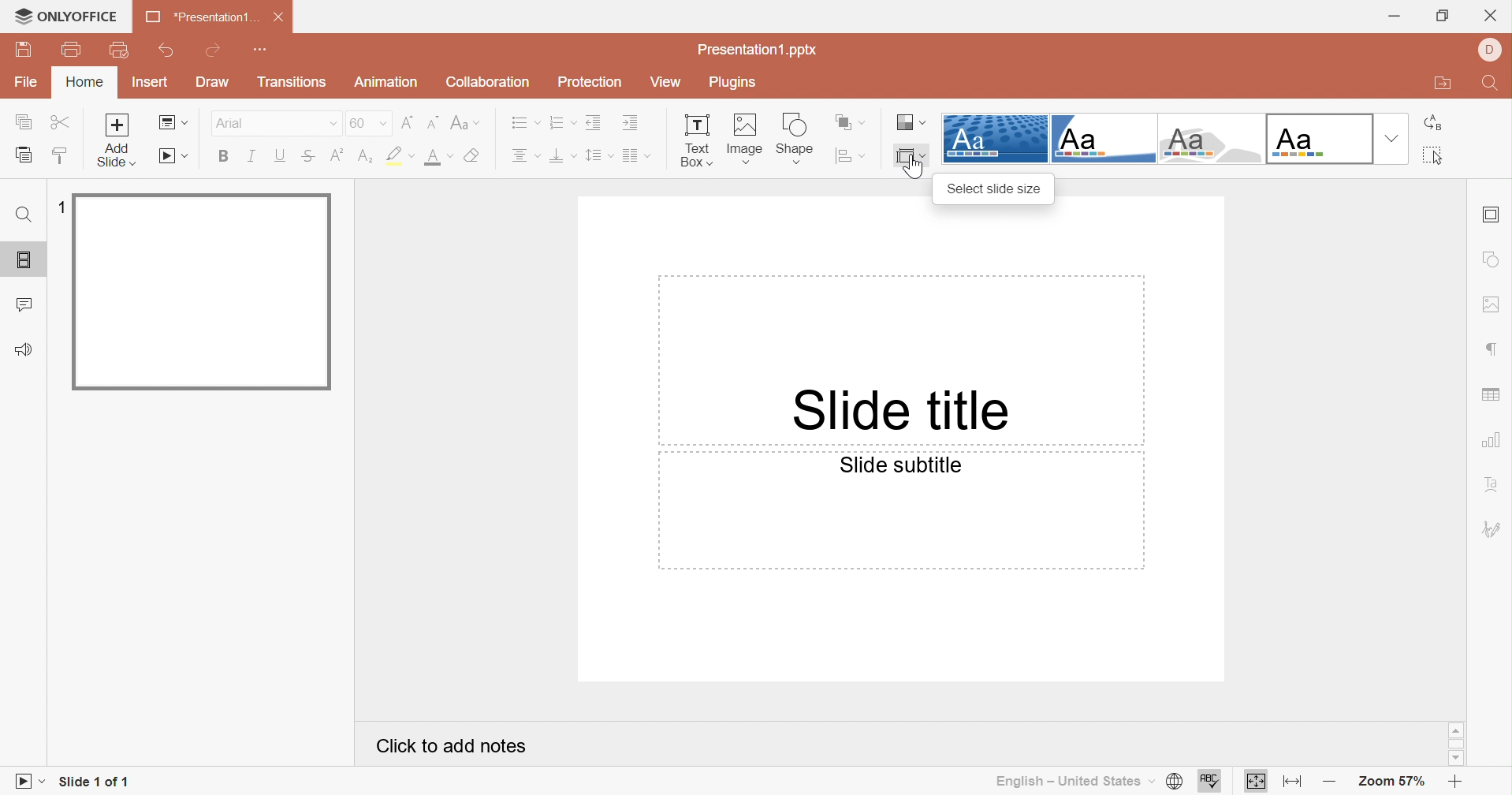  I want to click on Subscript, so click(365, 156).